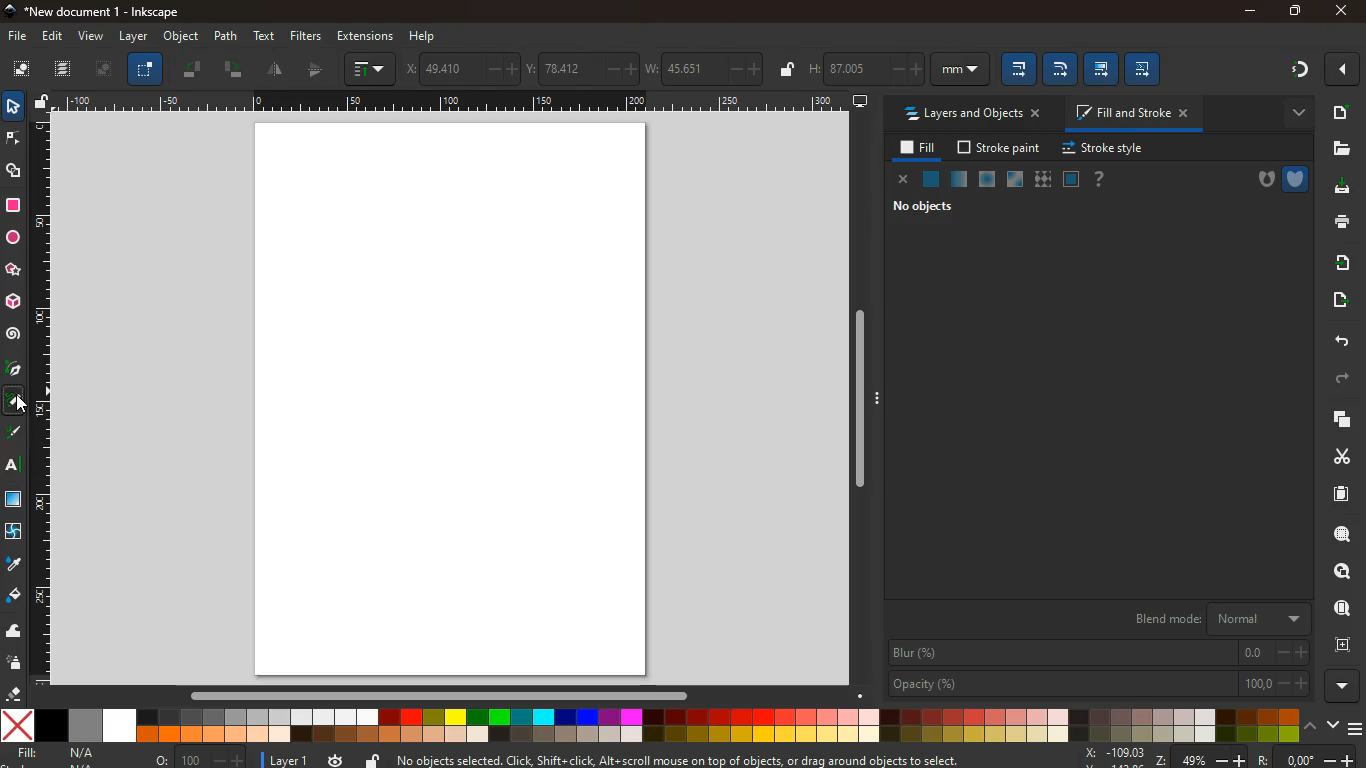  I want to click on window, so click(1016, 180).